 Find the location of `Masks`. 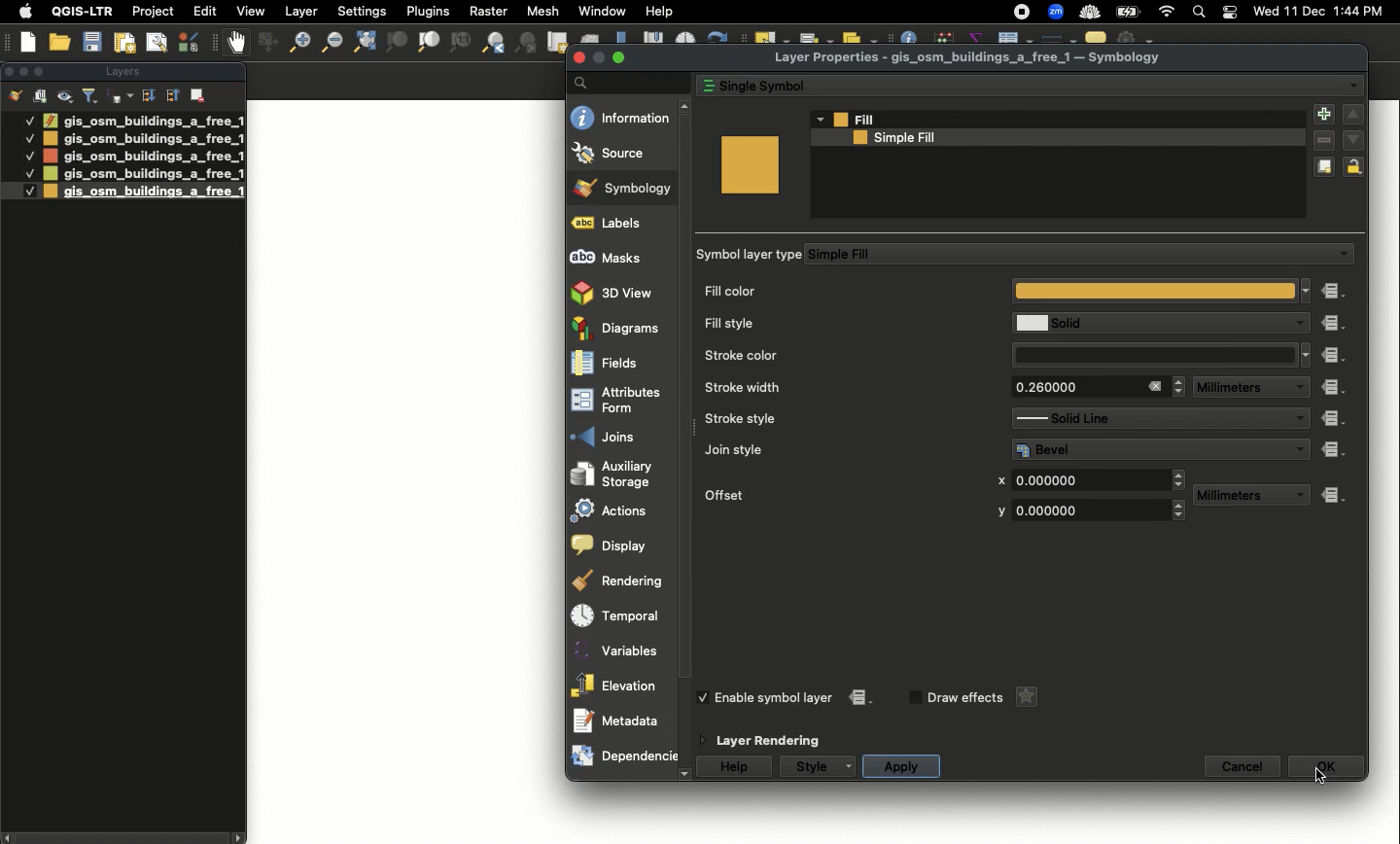

Masks is located at coordinates (622, 255).